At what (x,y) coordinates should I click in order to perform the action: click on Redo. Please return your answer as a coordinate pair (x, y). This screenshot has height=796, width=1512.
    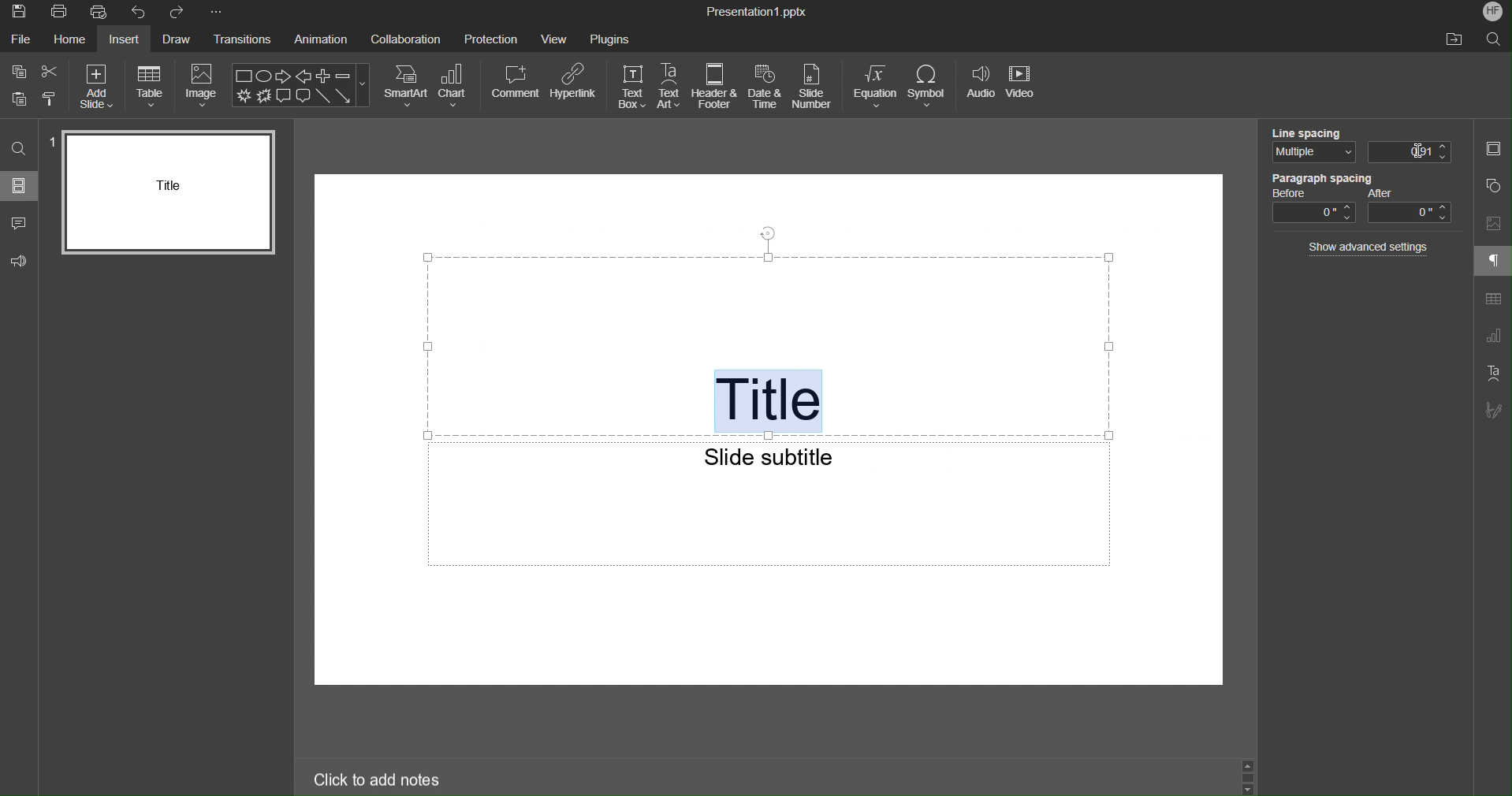
    Looking at the image, I should click on (180, 13).